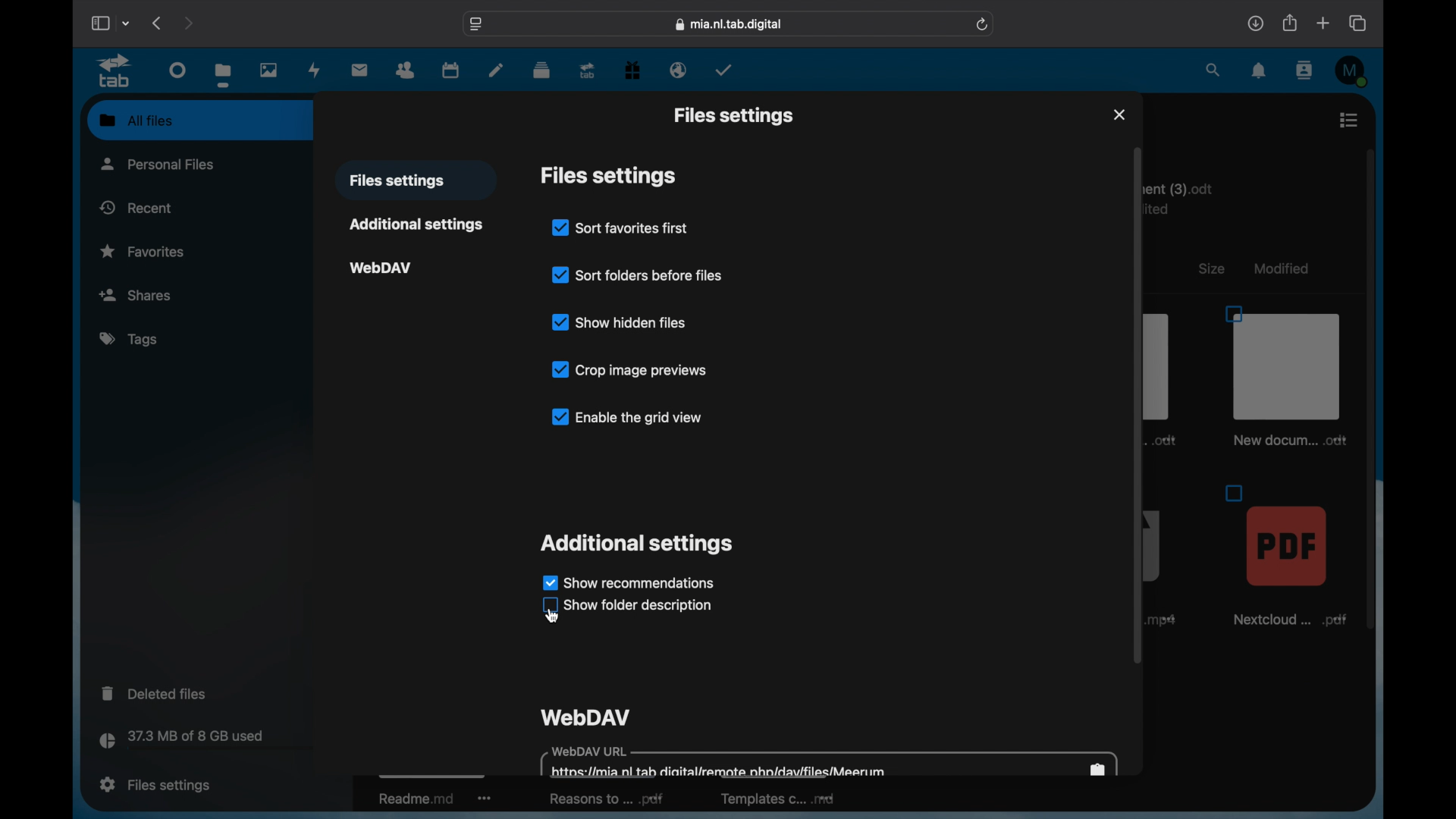  Describe the element at coordinates (127, 338) in the screenshot. I see `tags` at that location.